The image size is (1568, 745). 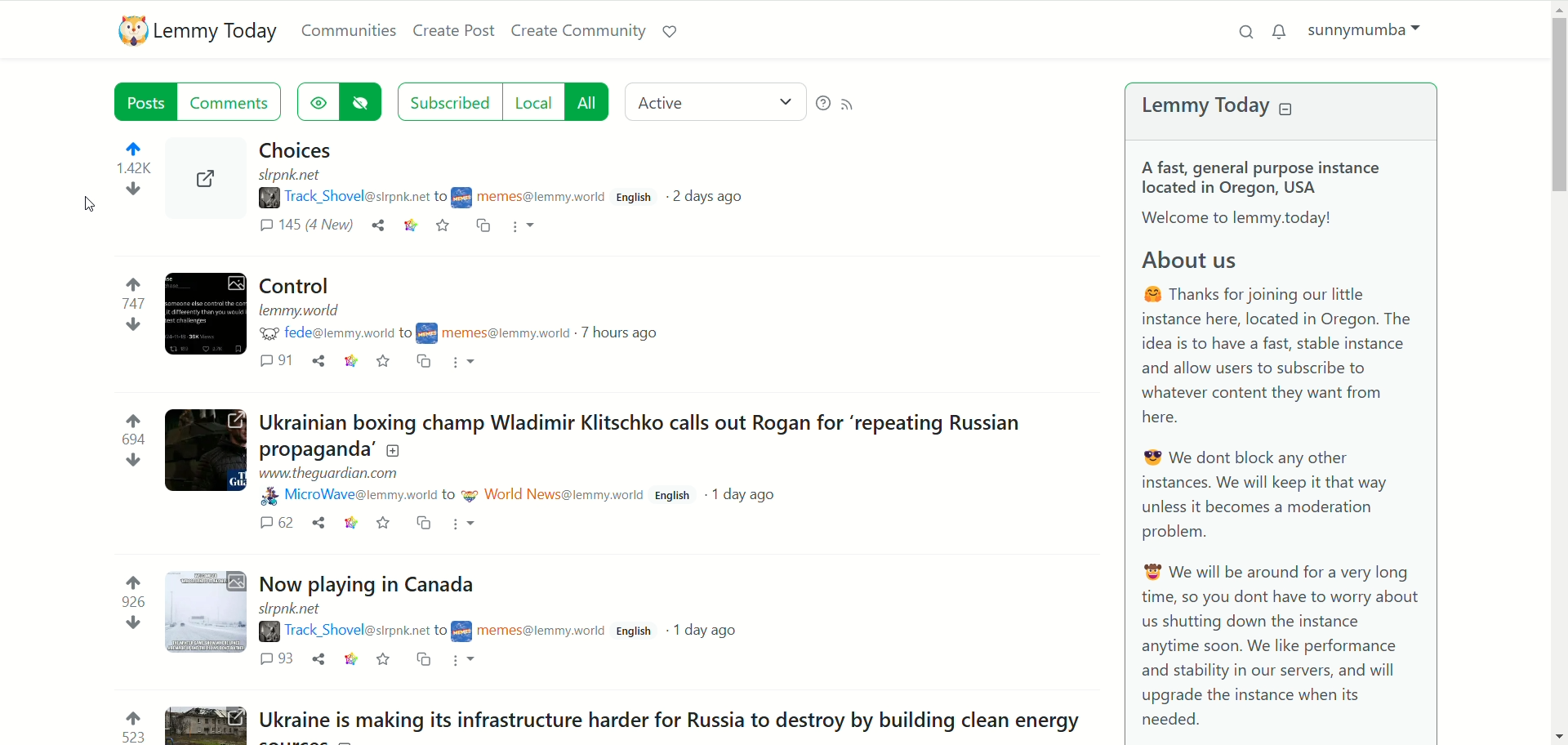 I want to click on post date, so click(x=708, y=198).